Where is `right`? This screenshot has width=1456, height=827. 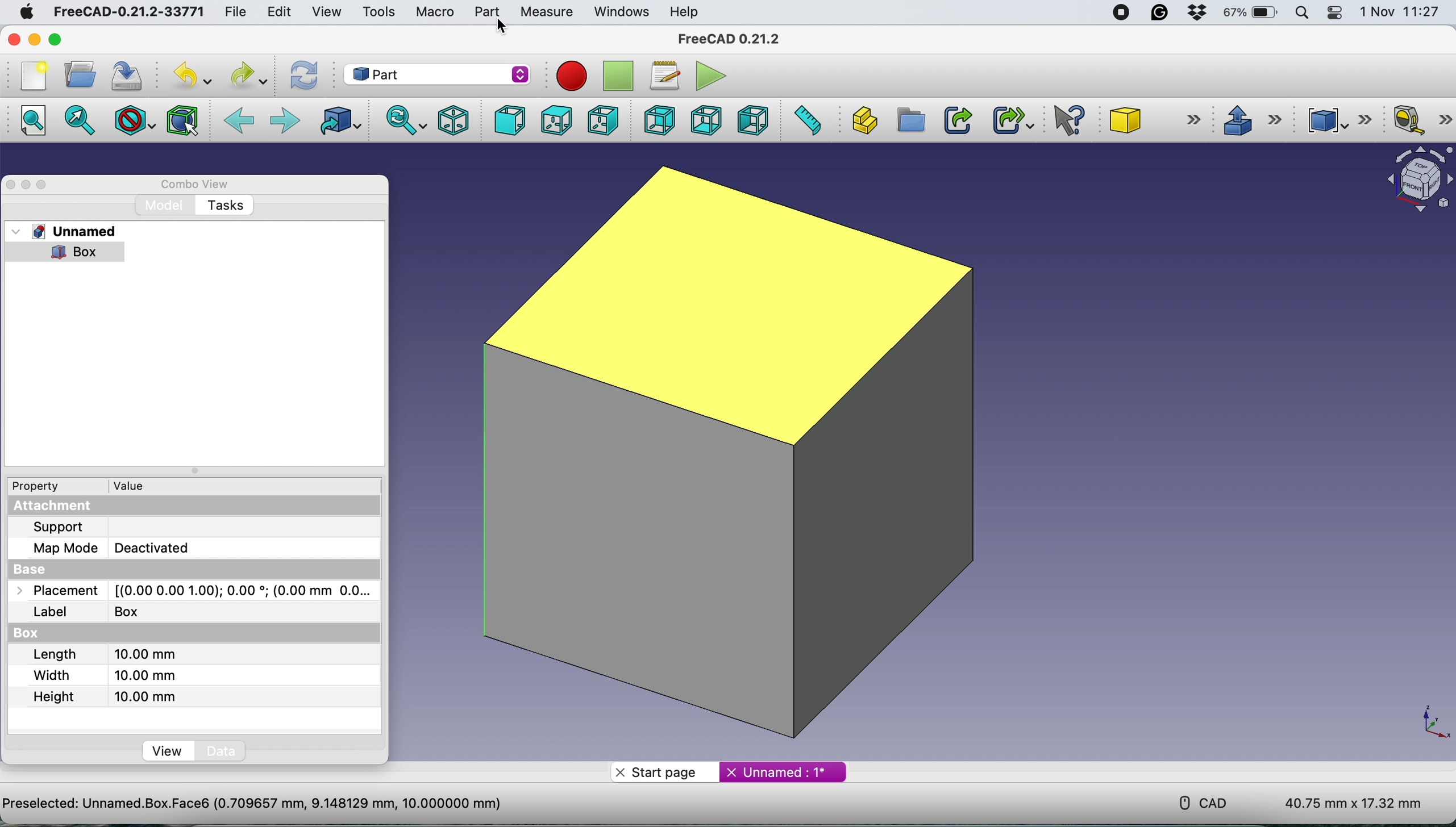 right is located at coordinates (608, 119).